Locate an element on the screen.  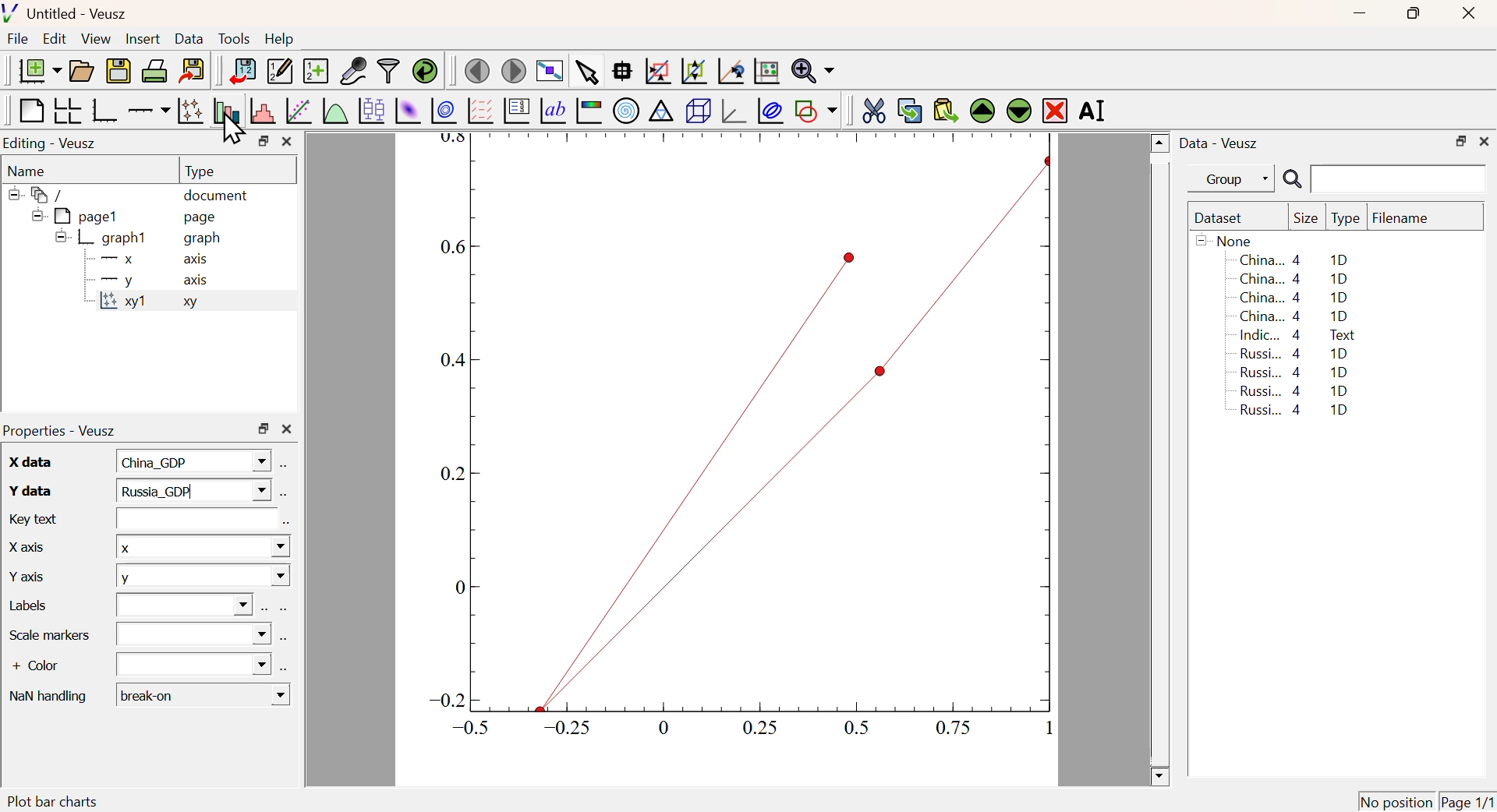
Select using dataset Browser is located at coordinates (285, 642).